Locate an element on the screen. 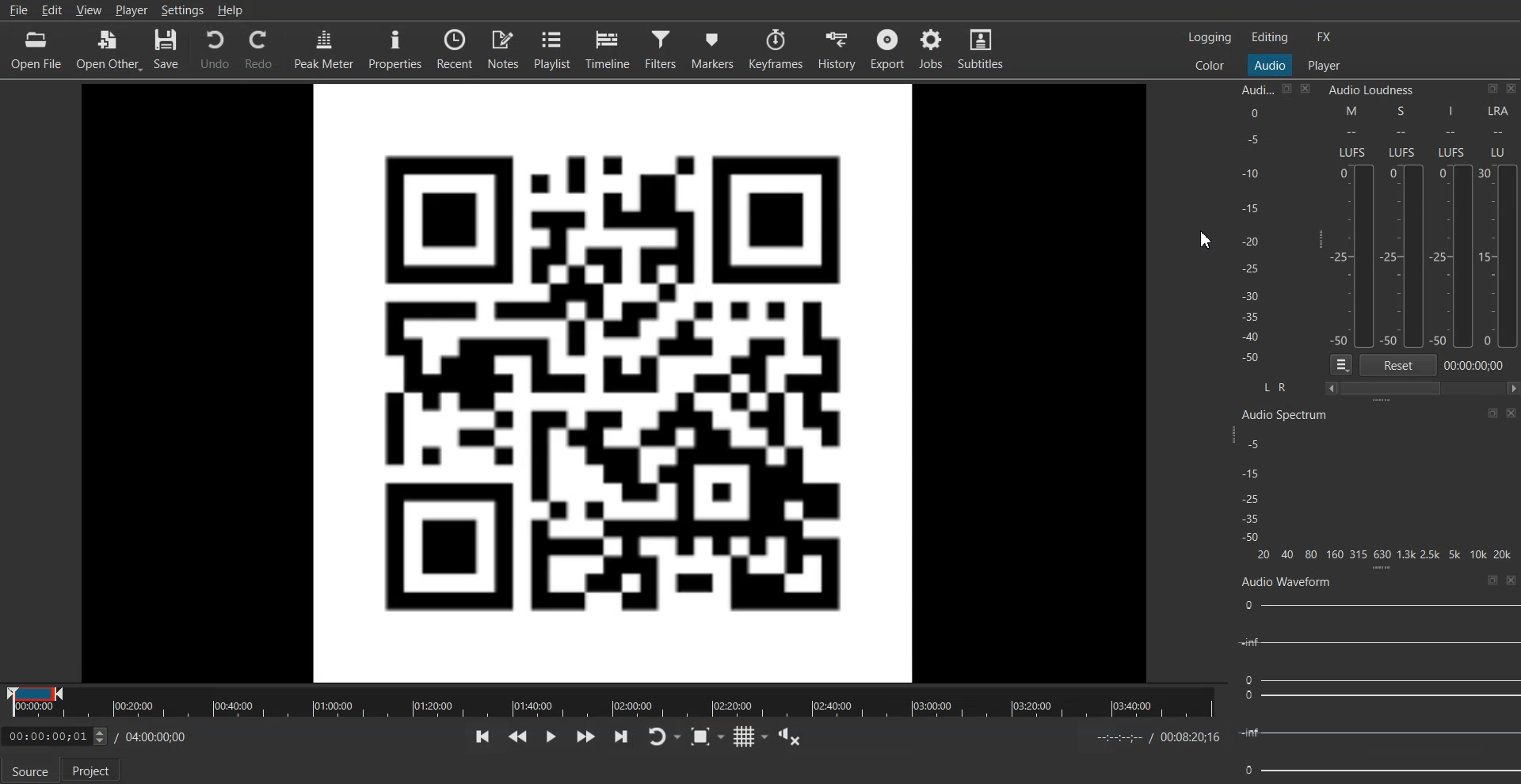 This screenshot has height=784, width=1521. Jobs is located at coordinates (932, 49).